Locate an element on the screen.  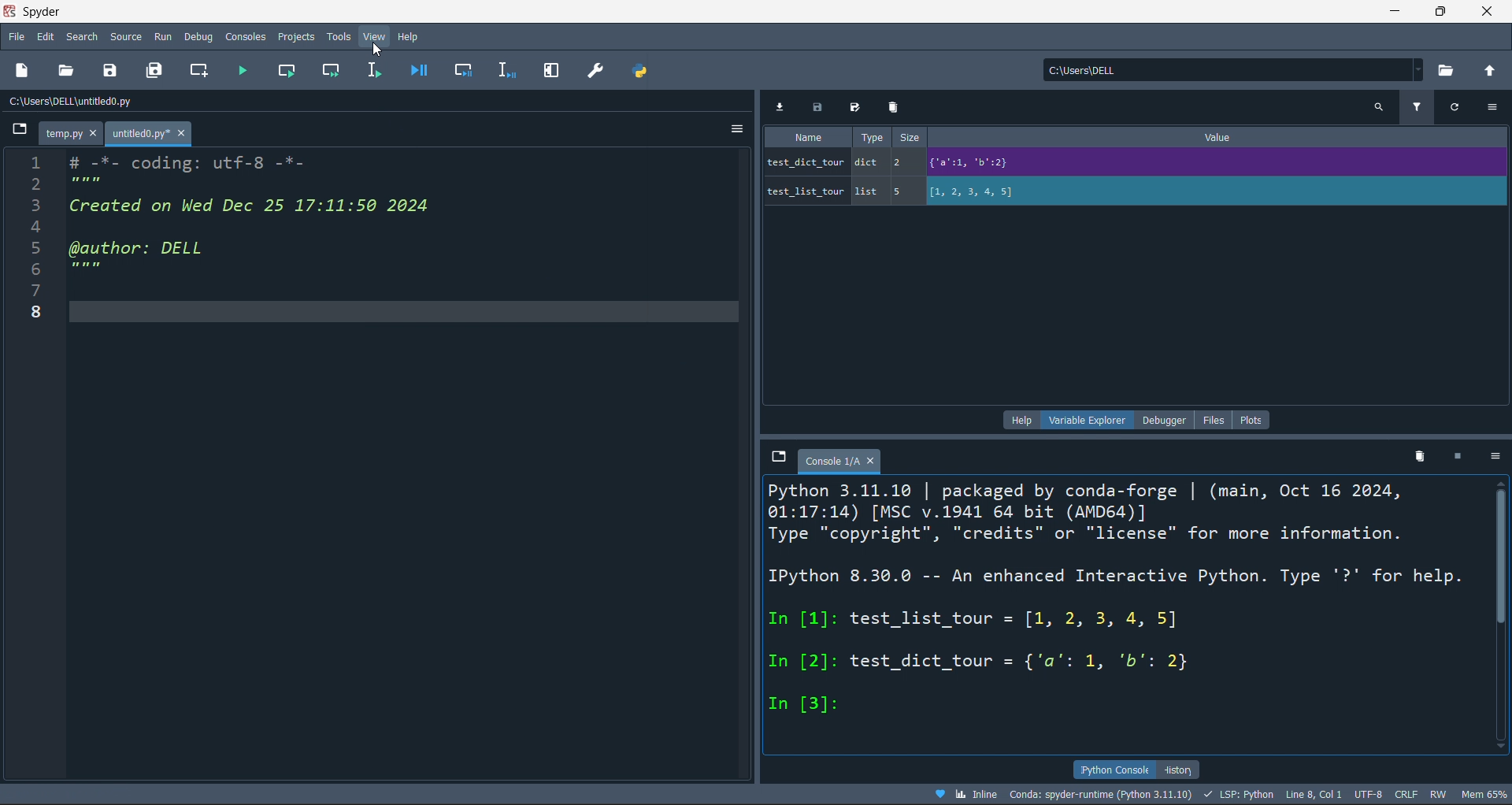
run line is located at coordinates (378, 71).